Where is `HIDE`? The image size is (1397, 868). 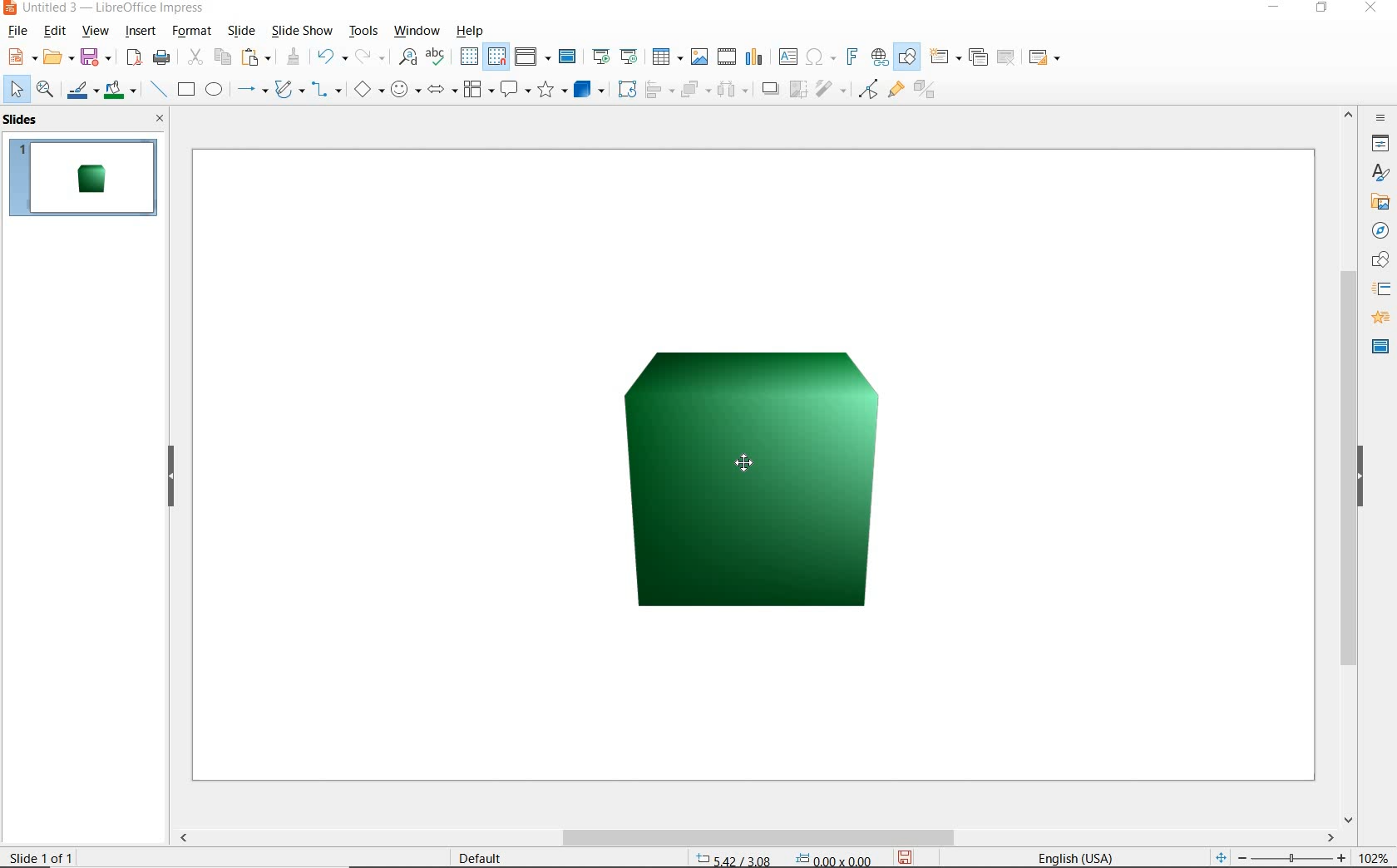
HIDE is located at coordinates (170, 477).